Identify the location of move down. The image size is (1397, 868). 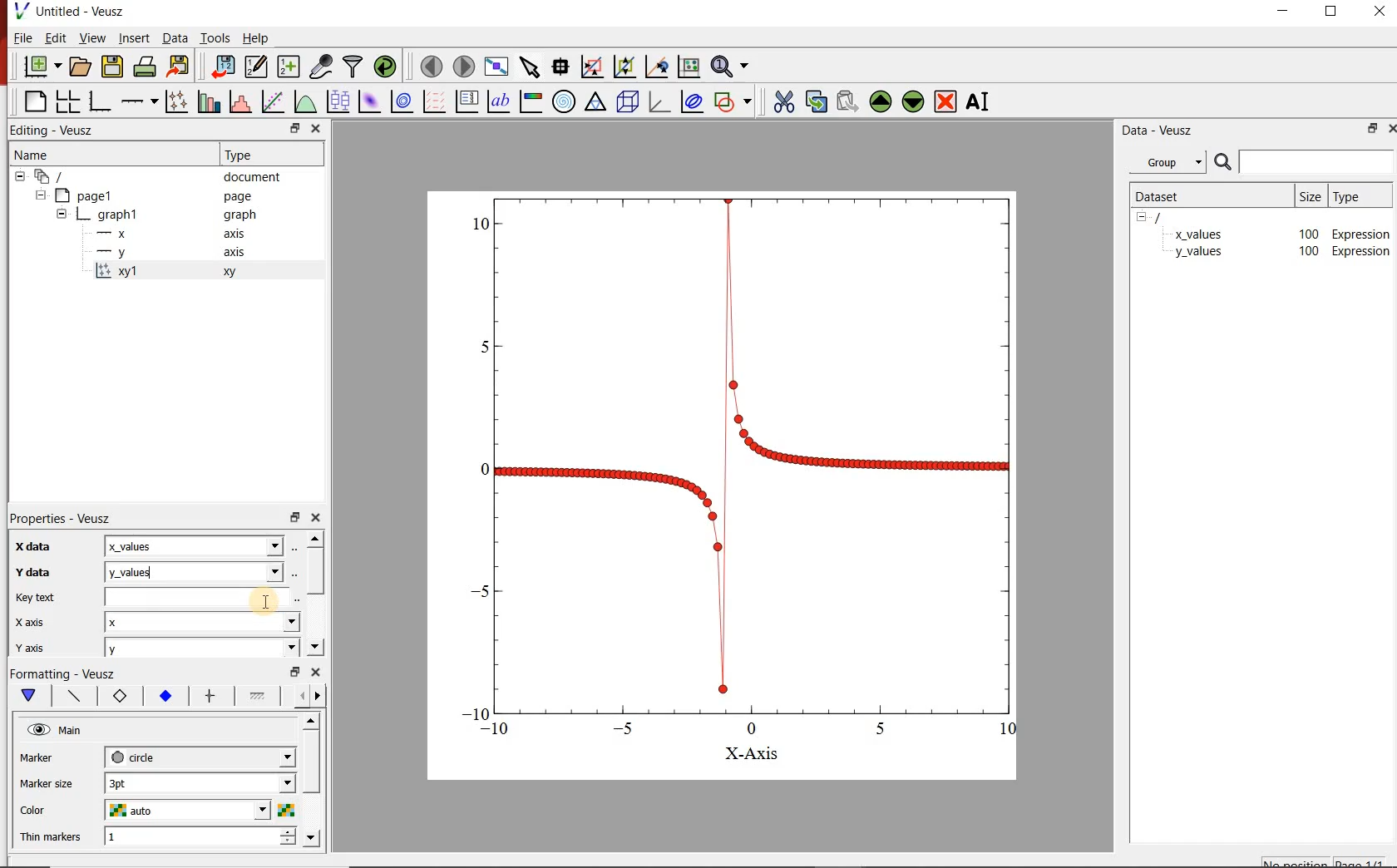
(316, 646).